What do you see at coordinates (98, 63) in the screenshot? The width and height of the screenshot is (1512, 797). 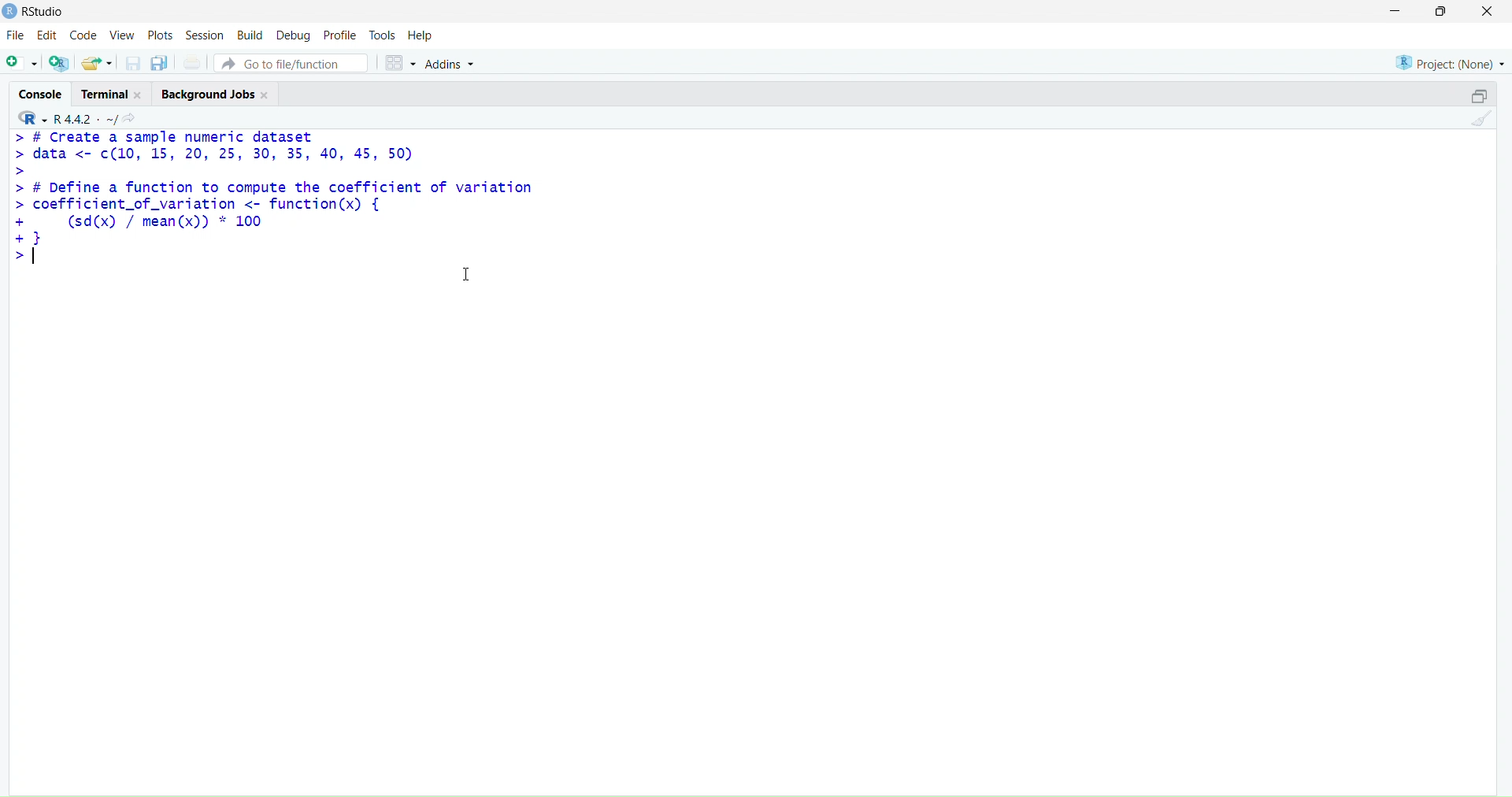 I see `share folder as` at bounding box center [98, 63].